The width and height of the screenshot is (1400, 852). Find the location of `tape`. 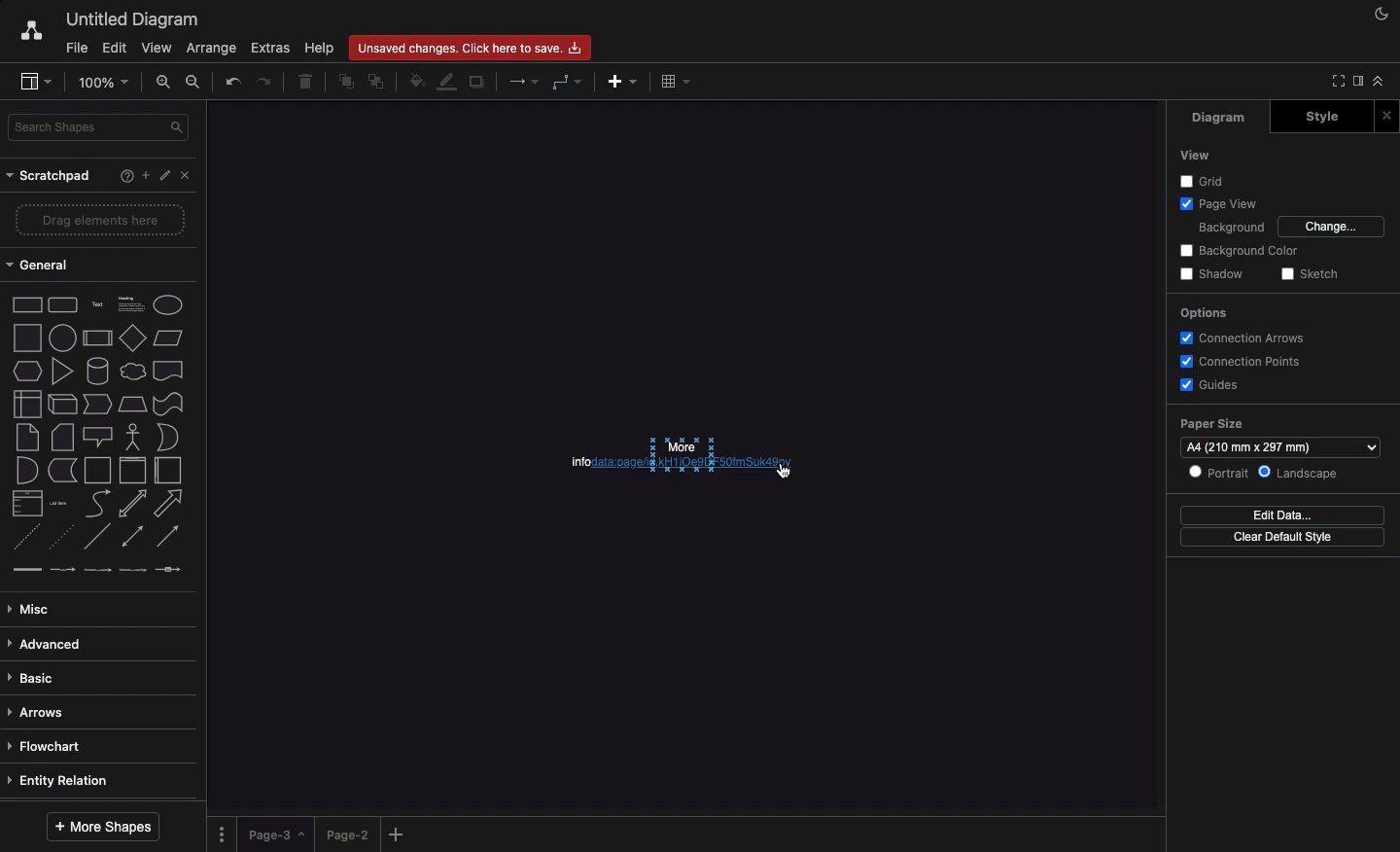

tape is located at coordinates (168, 404).